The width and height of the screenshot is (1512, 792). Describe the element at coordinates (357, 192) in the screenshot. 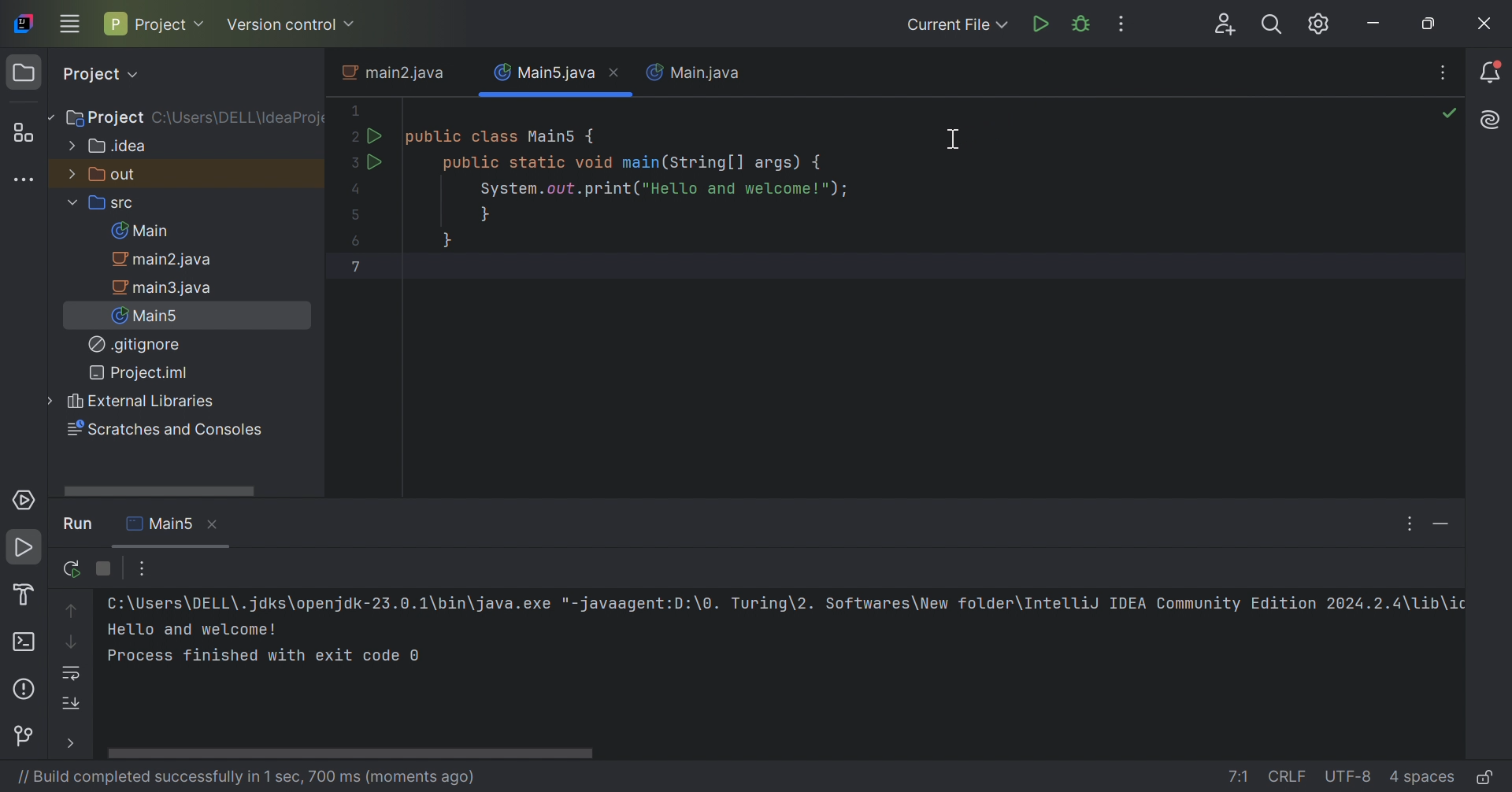

I see `4` at that location.